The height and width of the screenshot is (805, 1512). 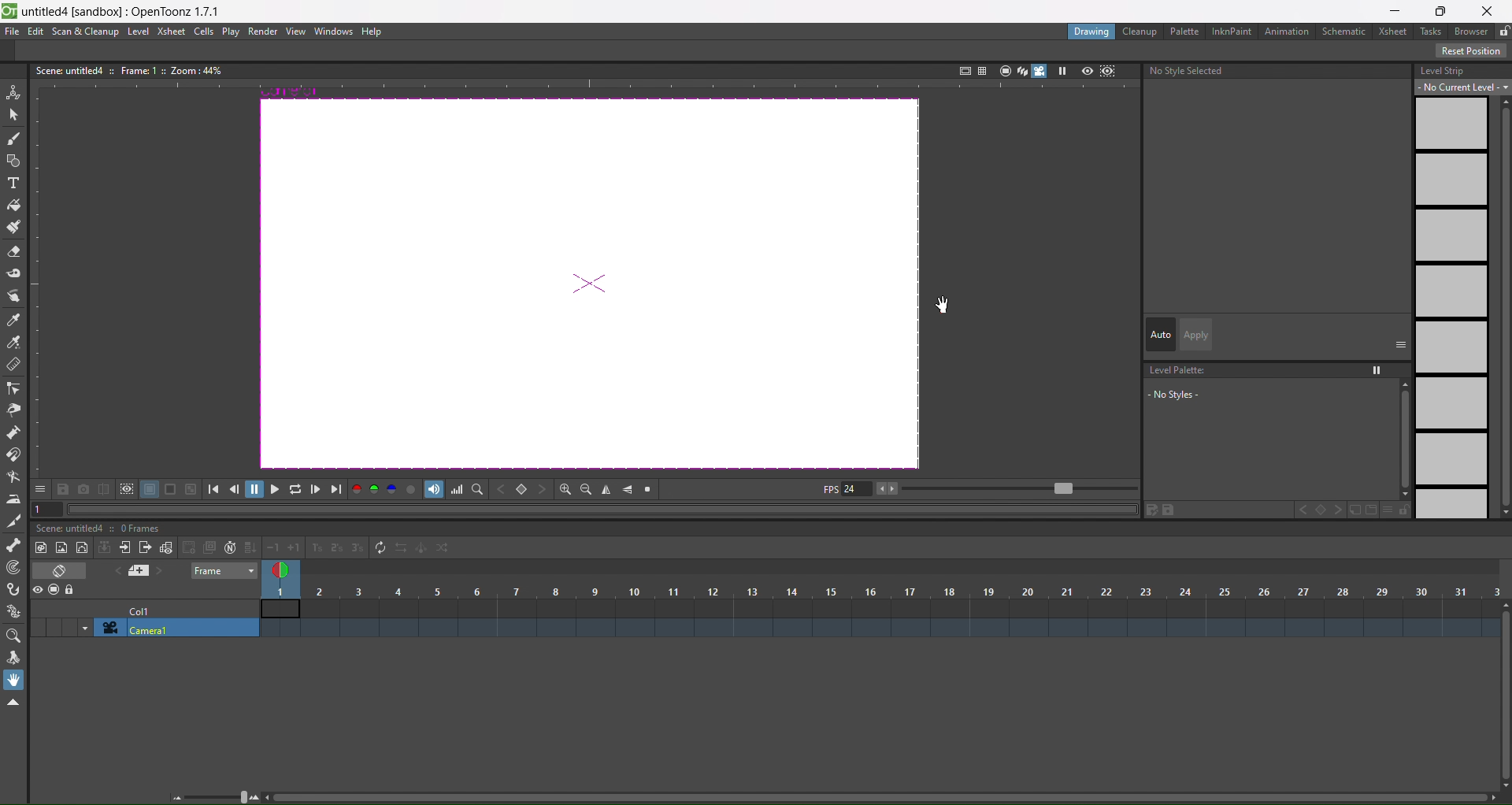 What do you see at coordinates (225, 570) in the screenshot?
I see `frame` at bounding box center [225, 570].